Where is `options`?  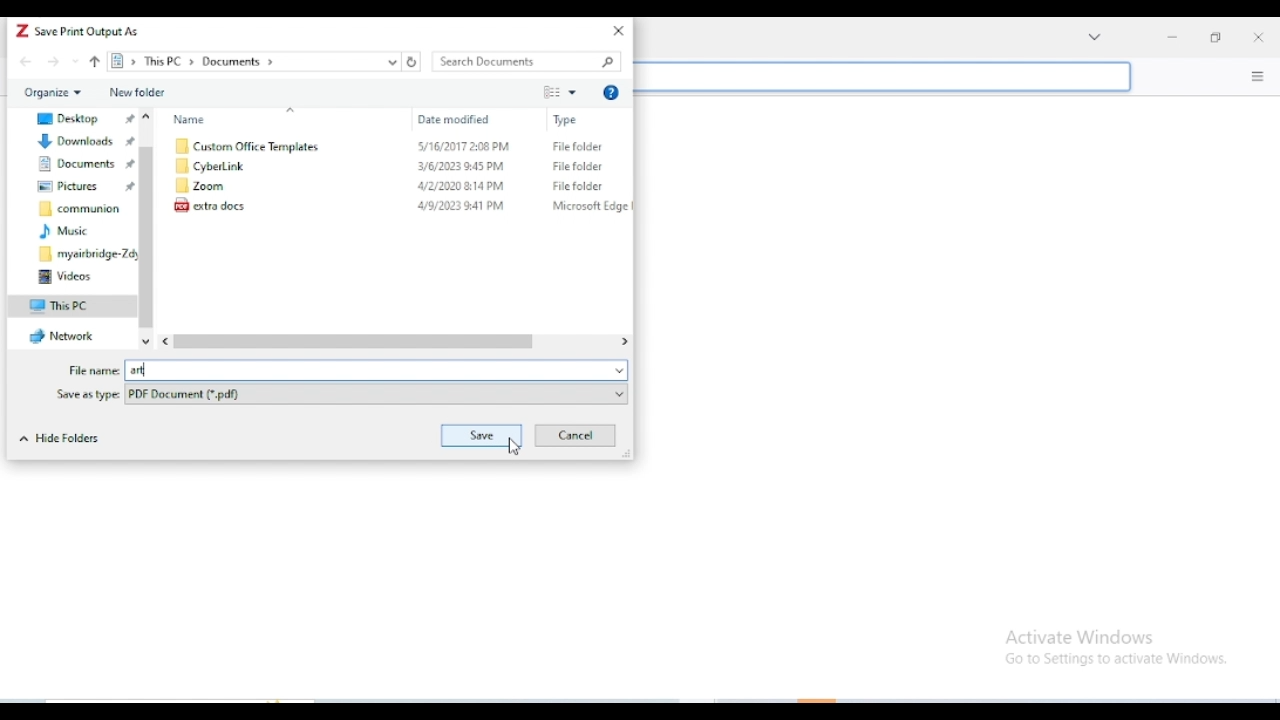 options is located at coordinates (1259, 76).